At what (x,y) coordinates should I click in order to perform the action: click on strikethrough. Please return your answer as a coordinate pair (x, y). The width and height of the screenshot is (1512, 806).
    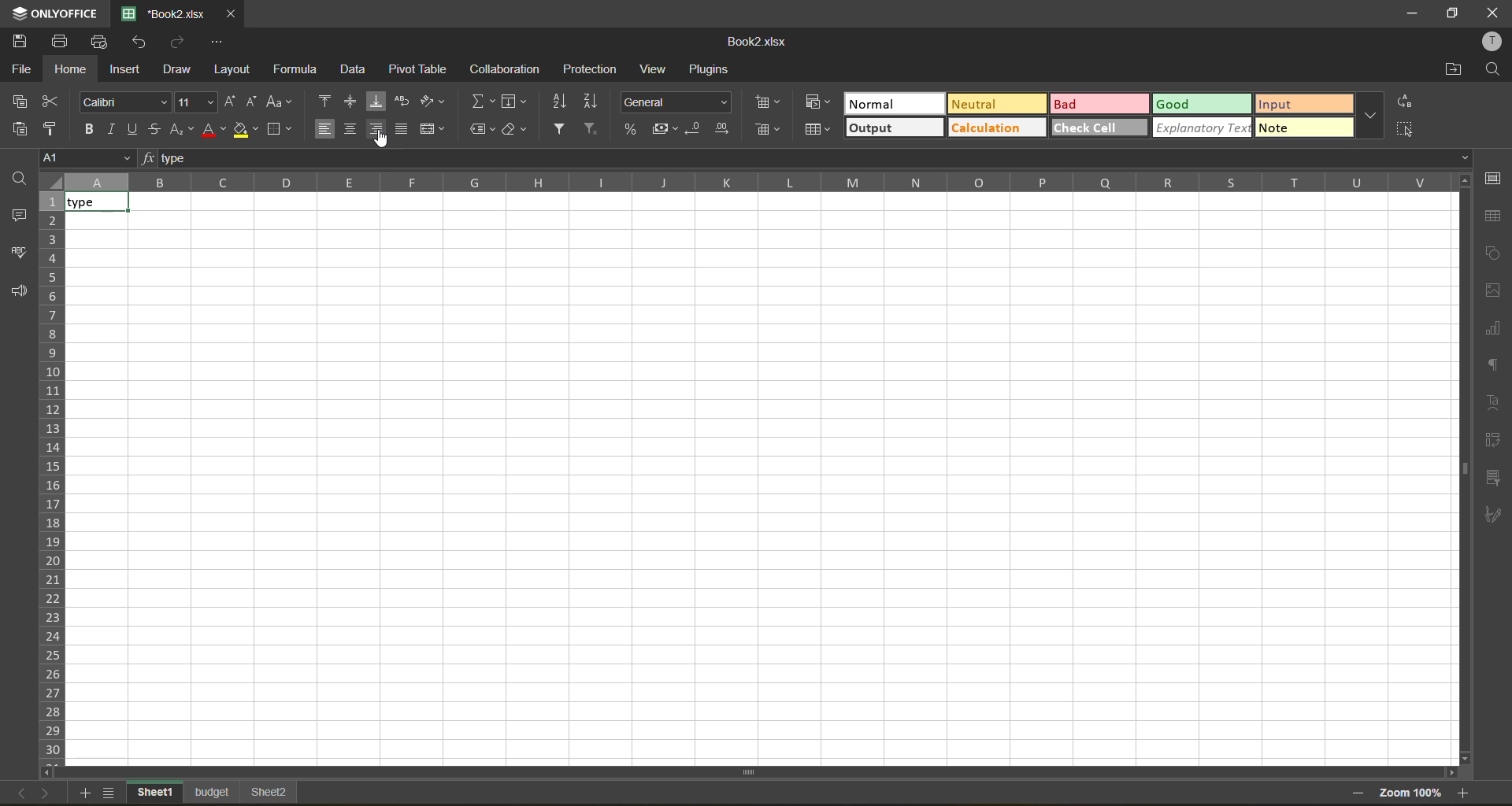
    Looking at the image, I should click on (156, 130).